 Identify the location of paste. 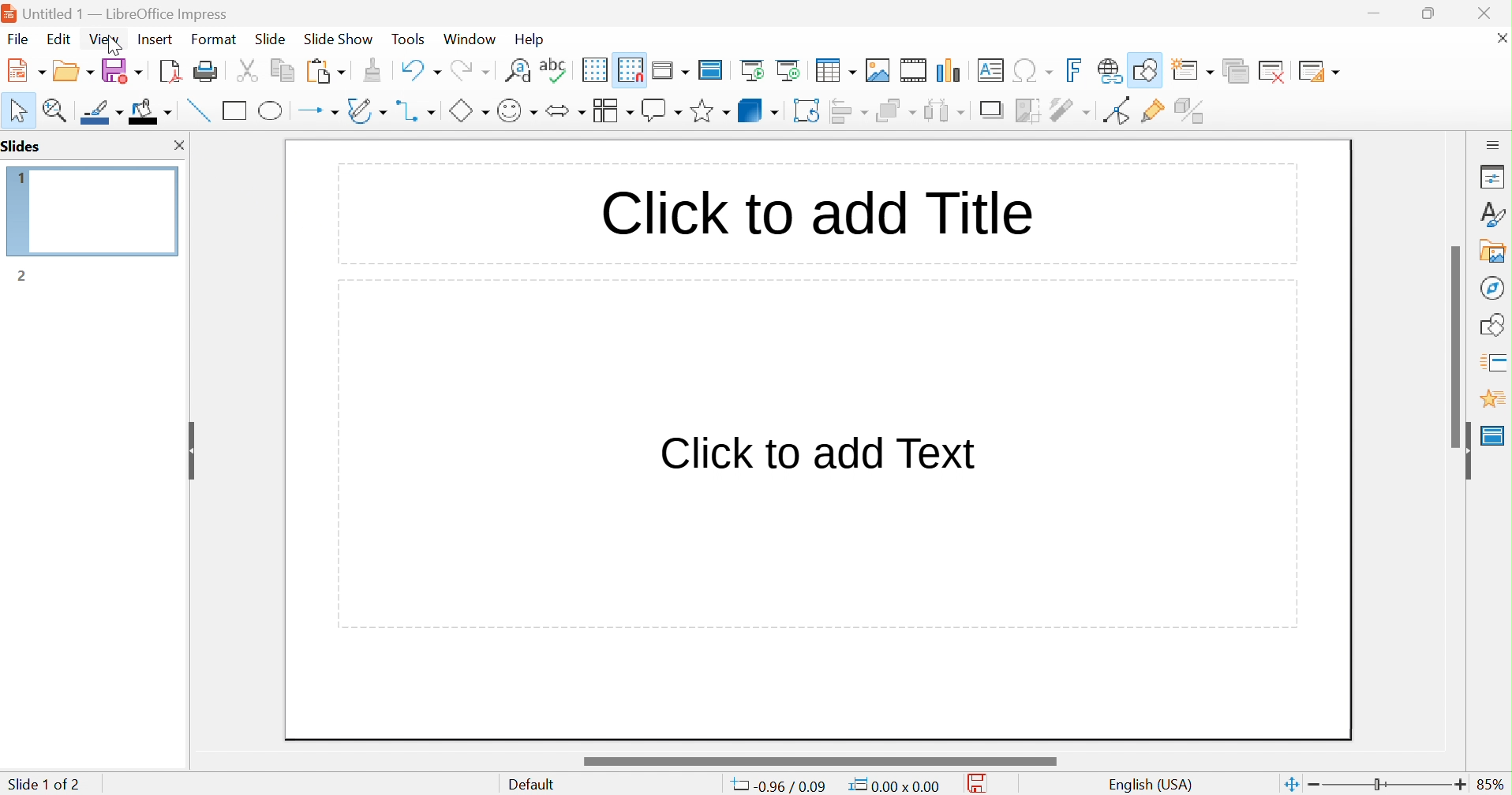
(326, 69).